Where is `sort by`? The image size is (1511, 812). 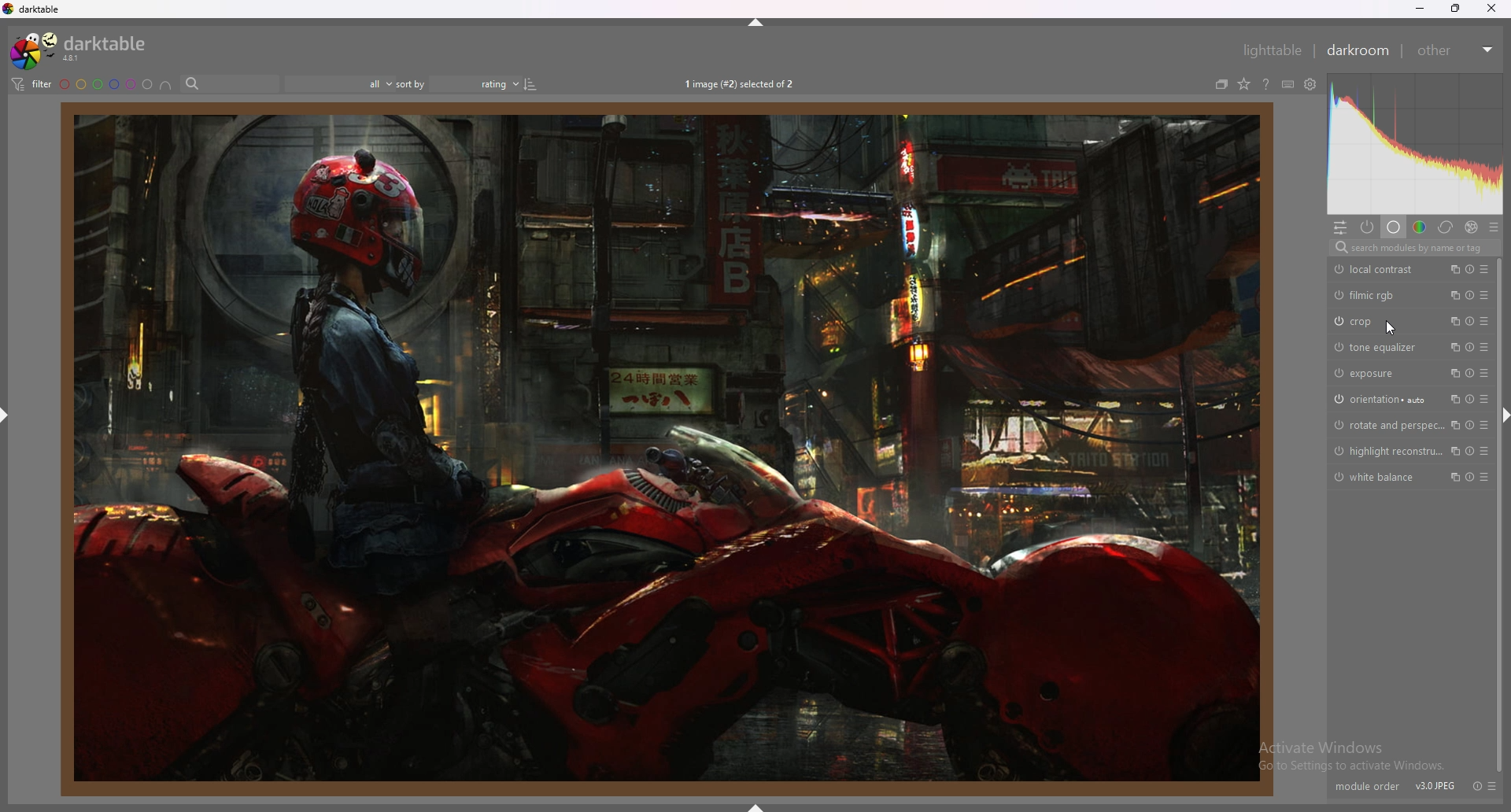
sort by is located at coordinates (412, 83).